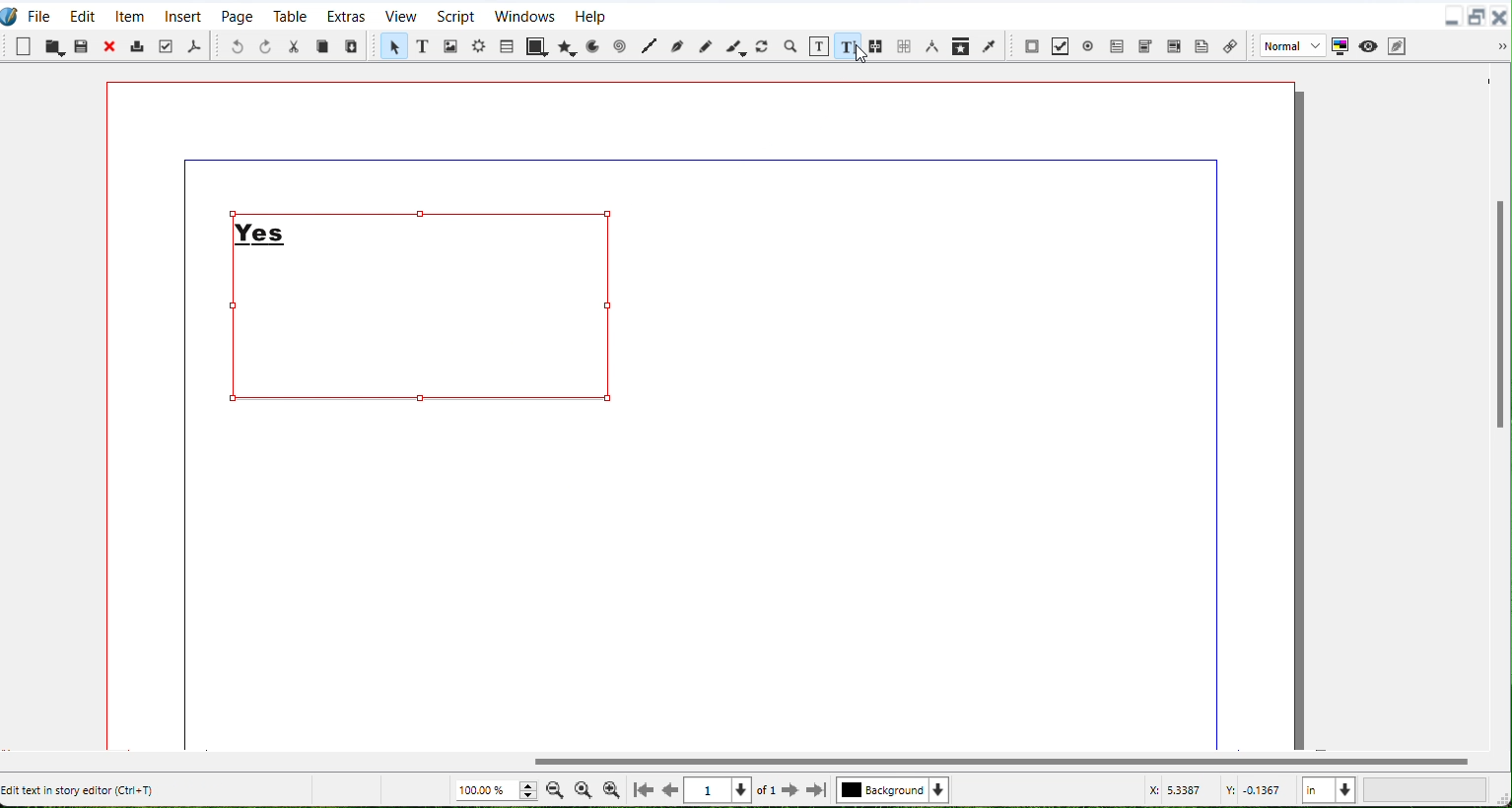 The width and height of the screenshot is (1512, 808). What do you see at coordinates (238, 46) in the screenshot?
I see `Undo` at bounding box center [238, 46].